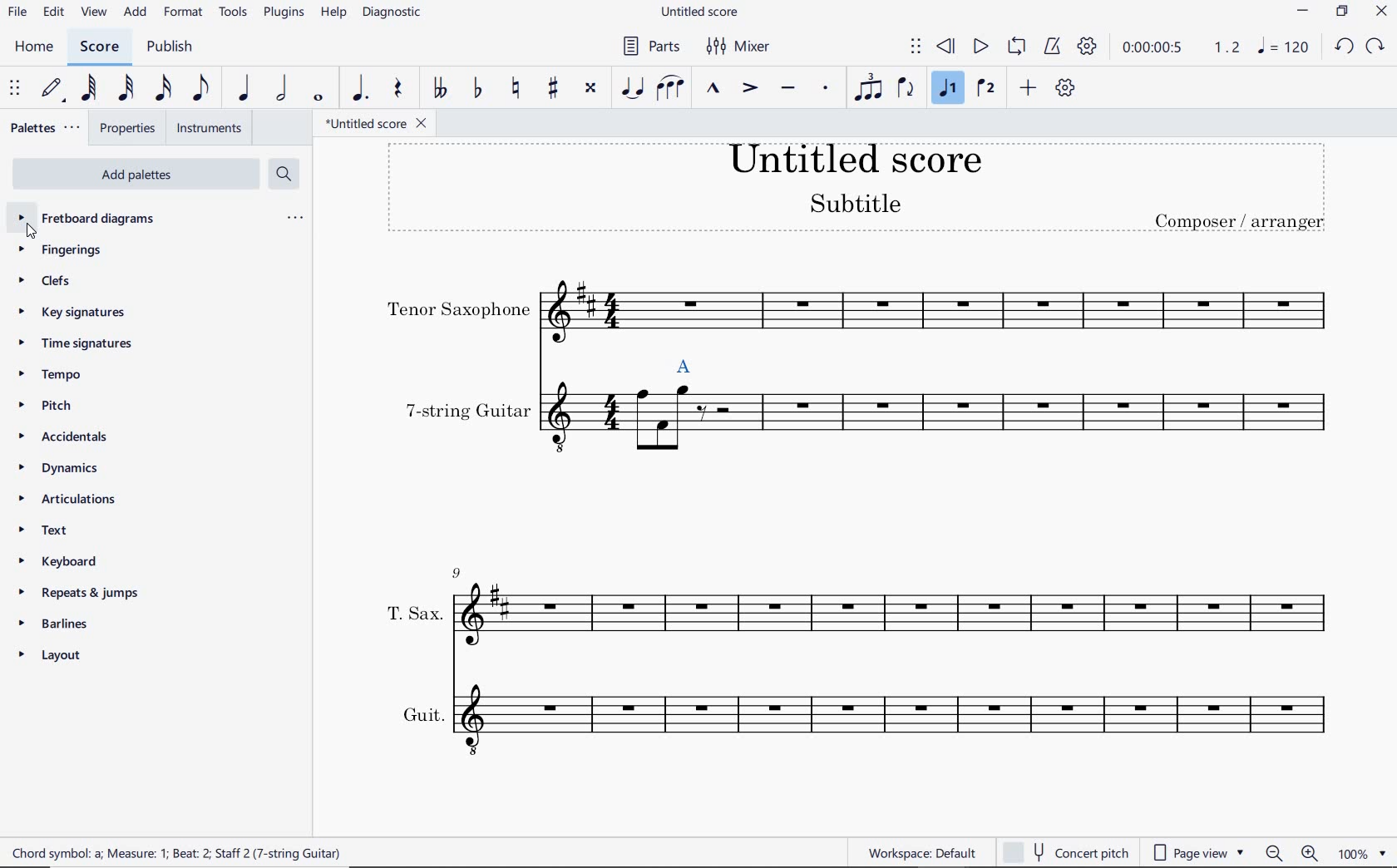 The height and width of the screenshot is (868, 1397). What do you see at coordinates (1181, 47) in the screenshot?
I see `PLAY SPEED` at bounding box center [1181, 47].